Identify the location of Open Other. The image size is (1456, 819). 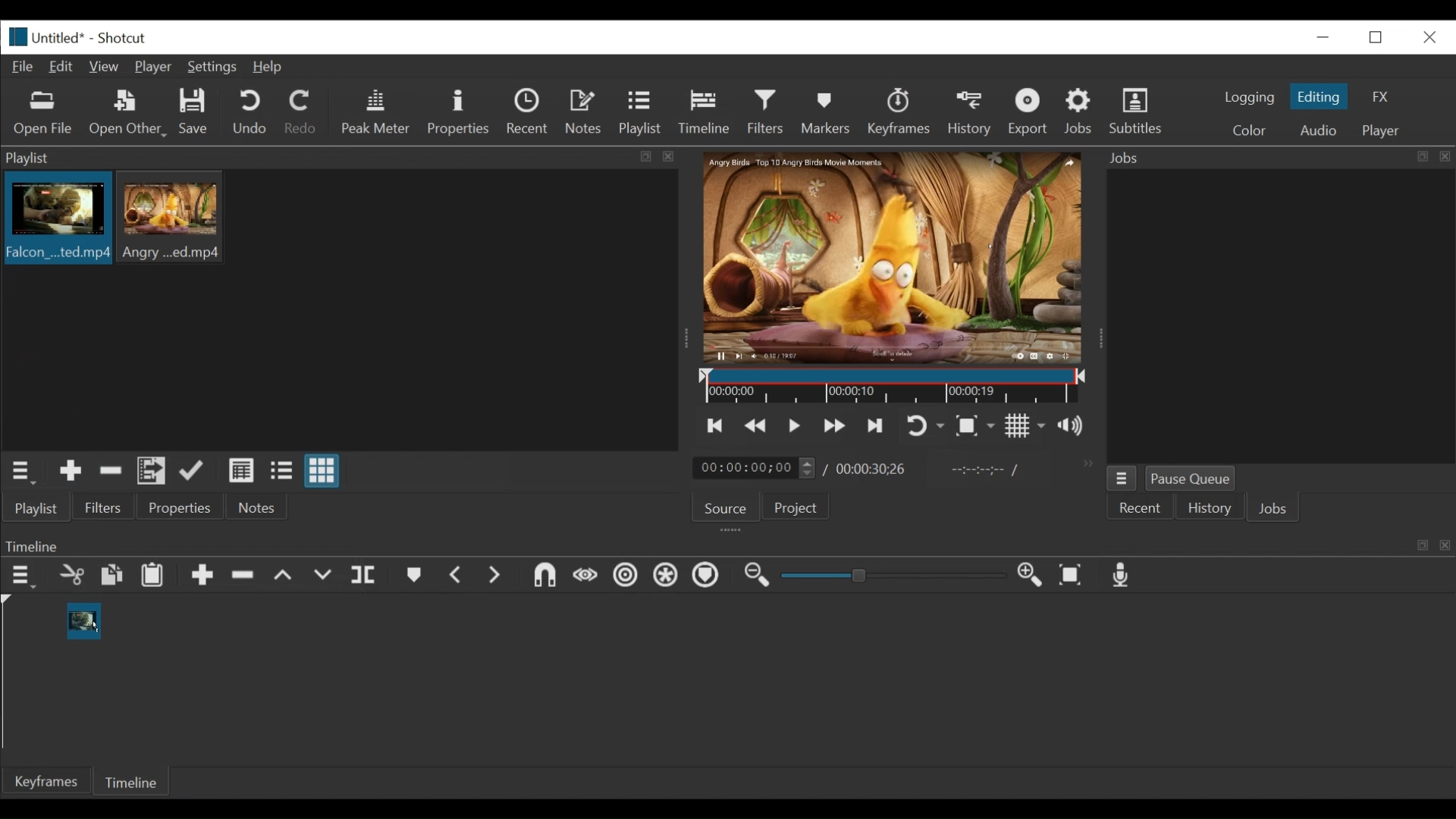
(129, 114).